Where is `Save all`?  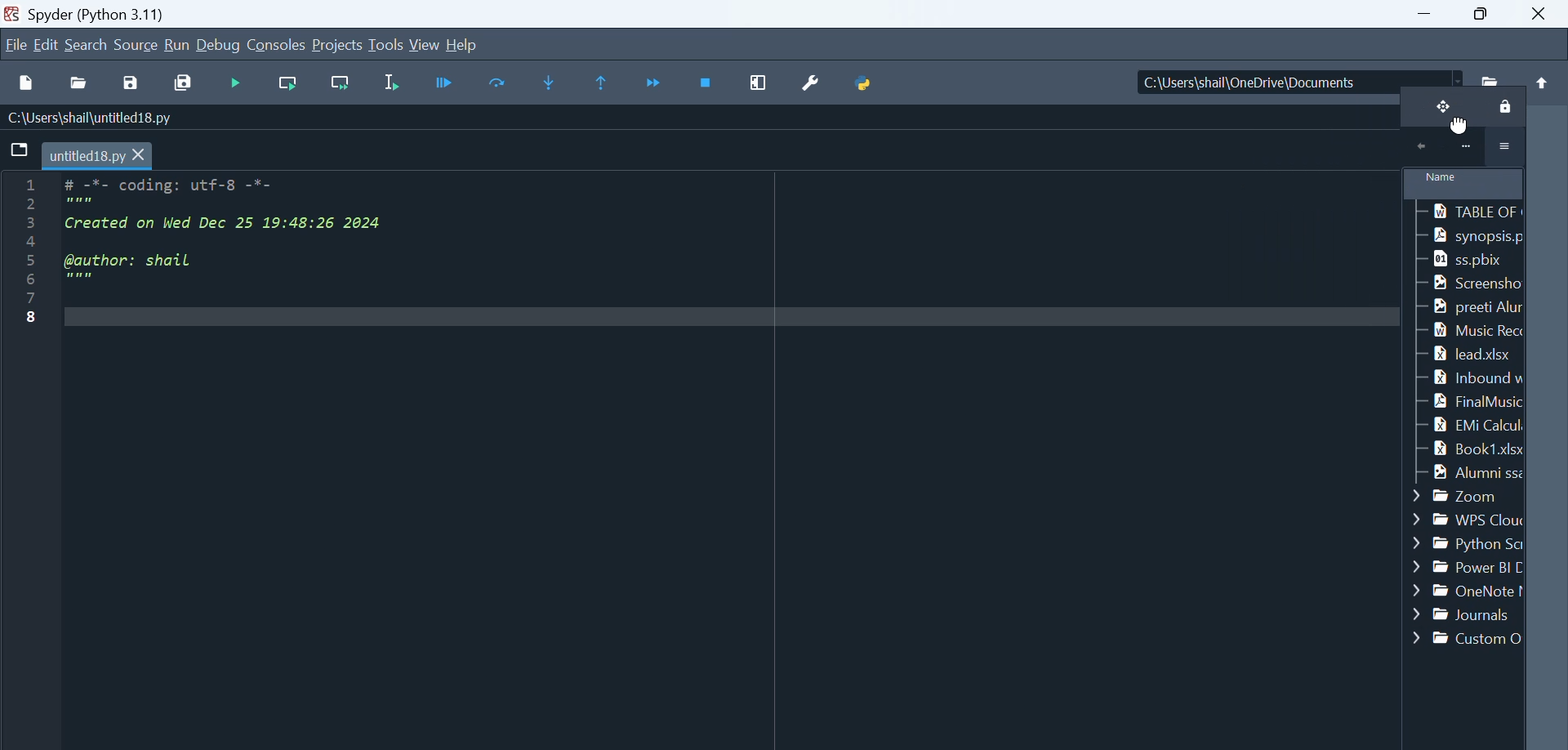
Save all is located at coordinates (181, 81).